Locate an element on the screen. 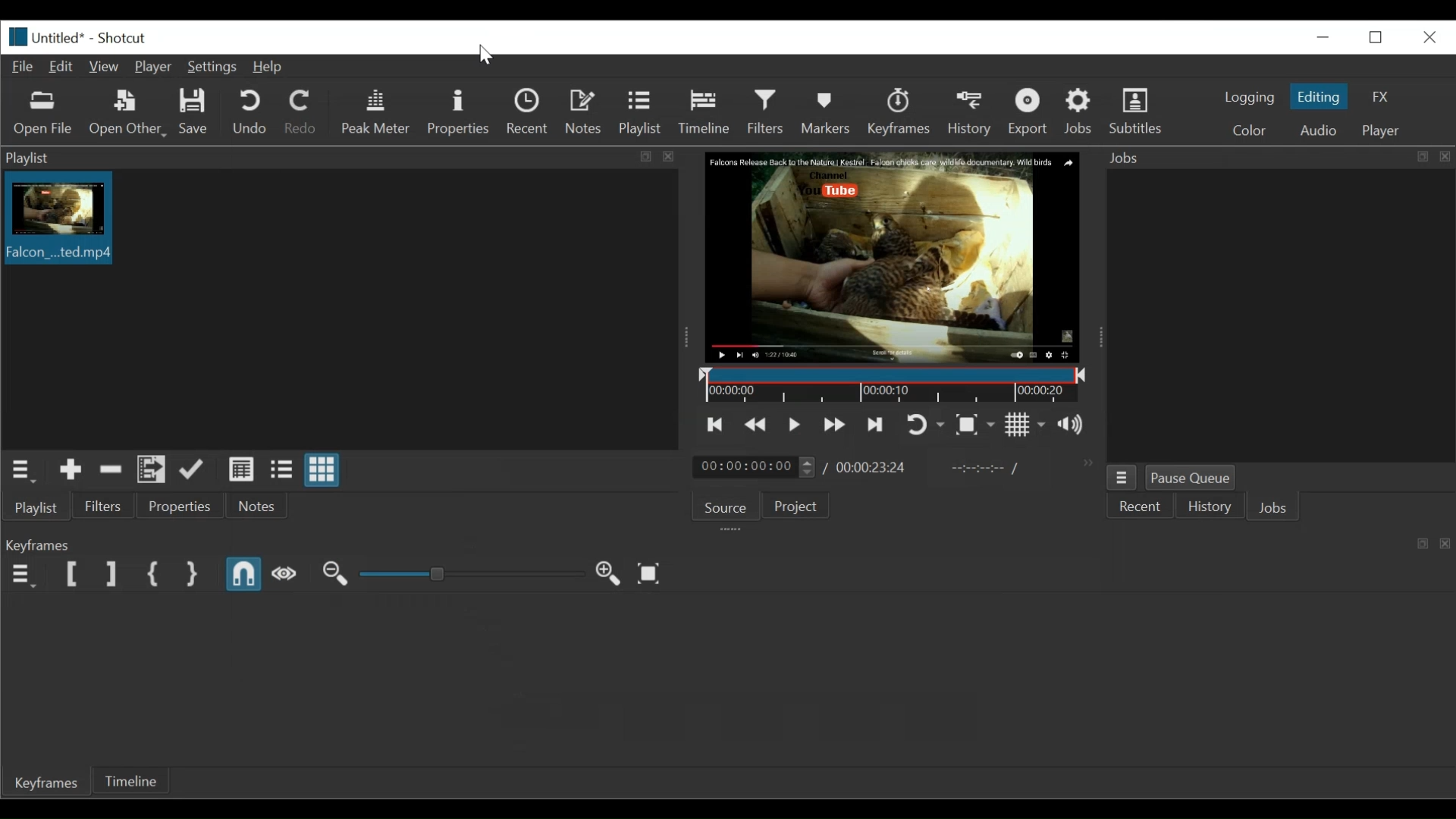  Jobs is located at coordinates (1079, 113).